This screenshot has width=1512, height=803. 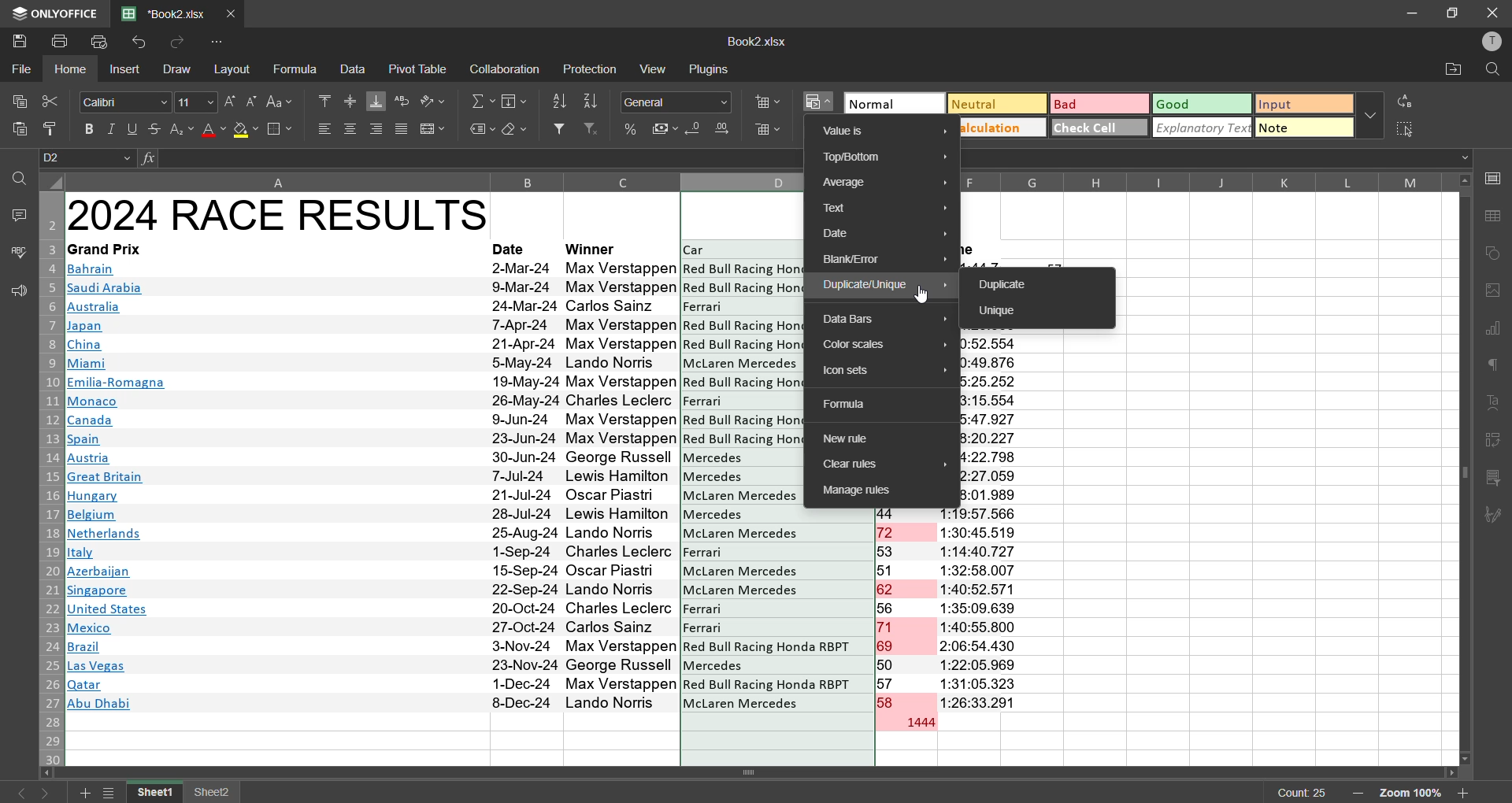 What do you see at coordinates (906, 611) in the screenshot?
I see `laps` at bounding box center [906, 611].